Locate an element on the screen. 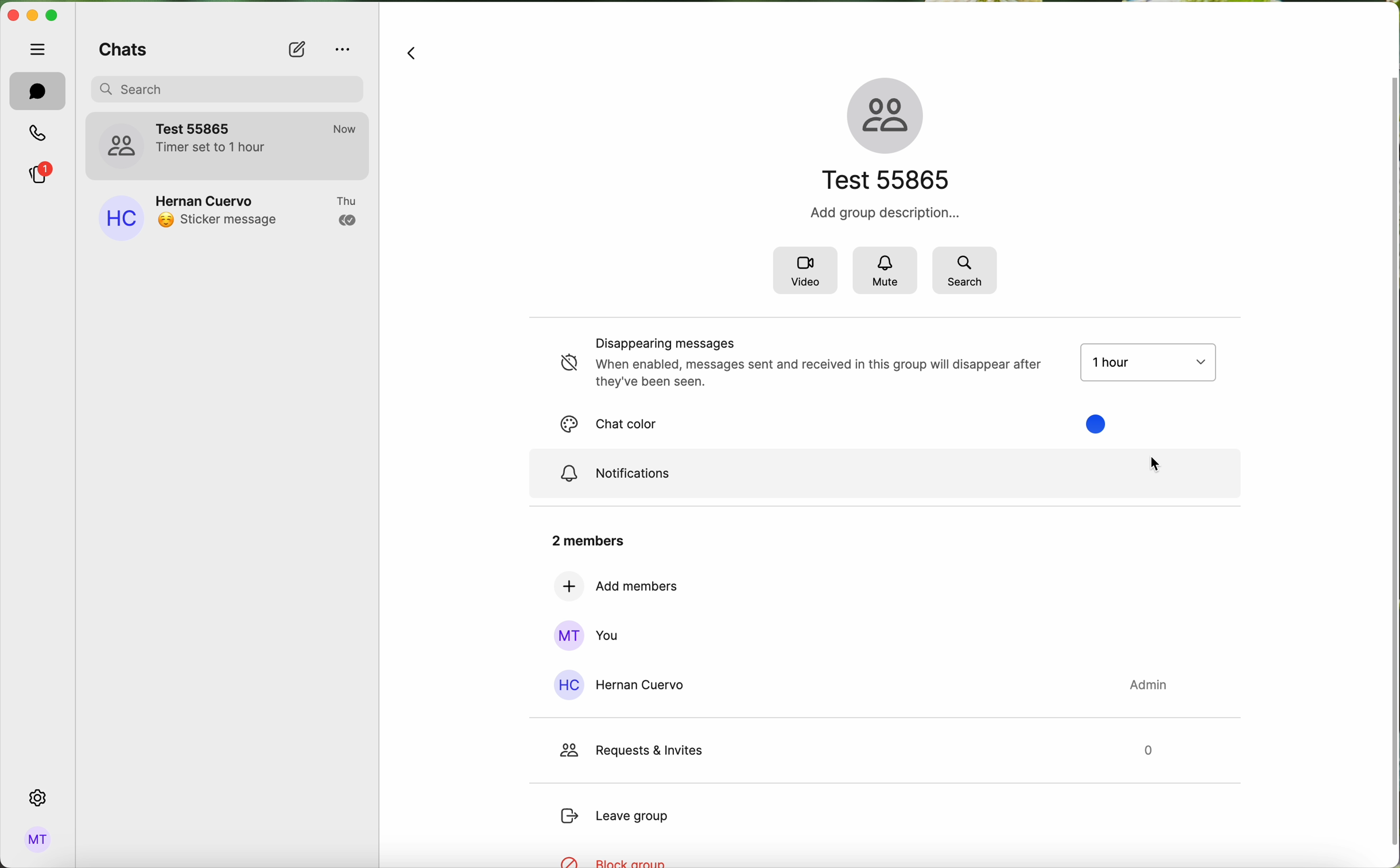  mute is located at coordinates (883, 270).